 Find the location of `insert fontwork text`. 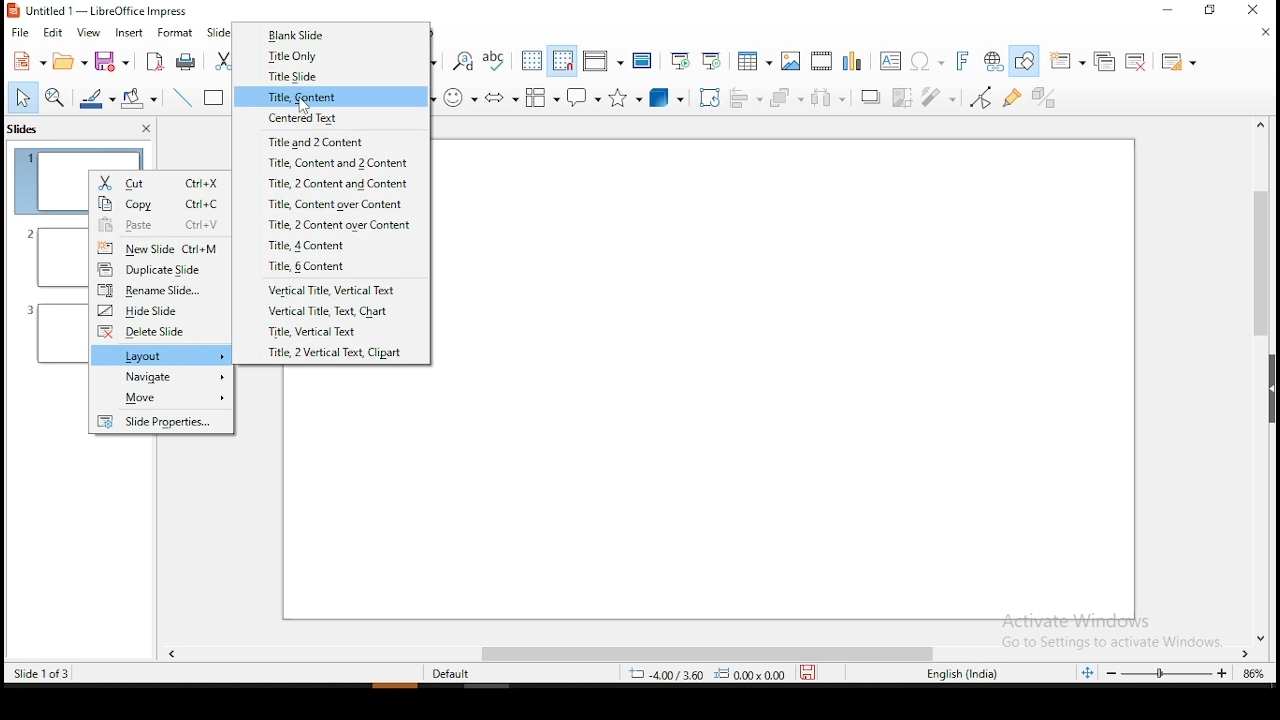

insert fontwork text is located at coordinates (964, 61).